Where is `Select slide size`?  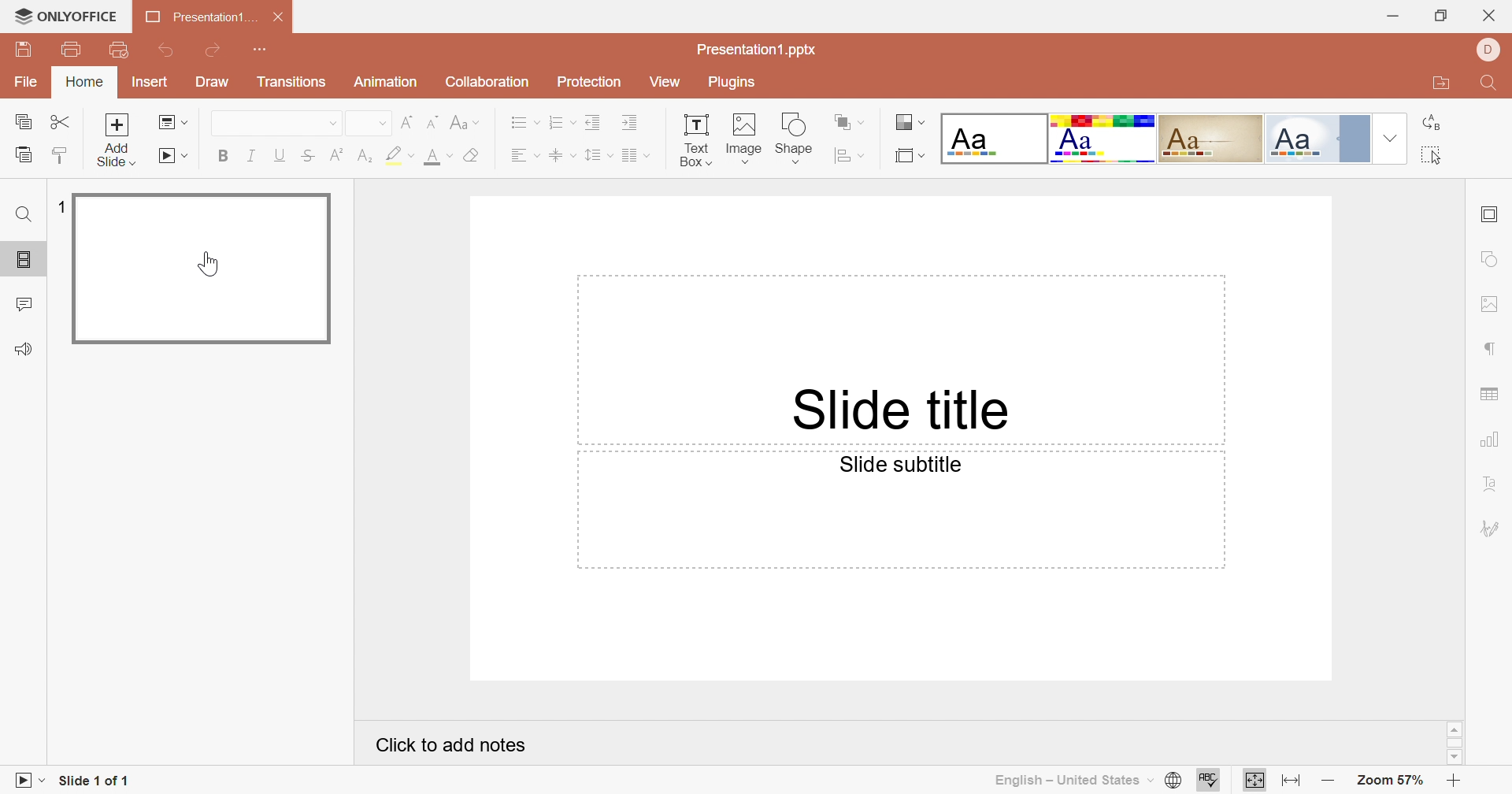 Select slide size is located at coordinates (910, 155).